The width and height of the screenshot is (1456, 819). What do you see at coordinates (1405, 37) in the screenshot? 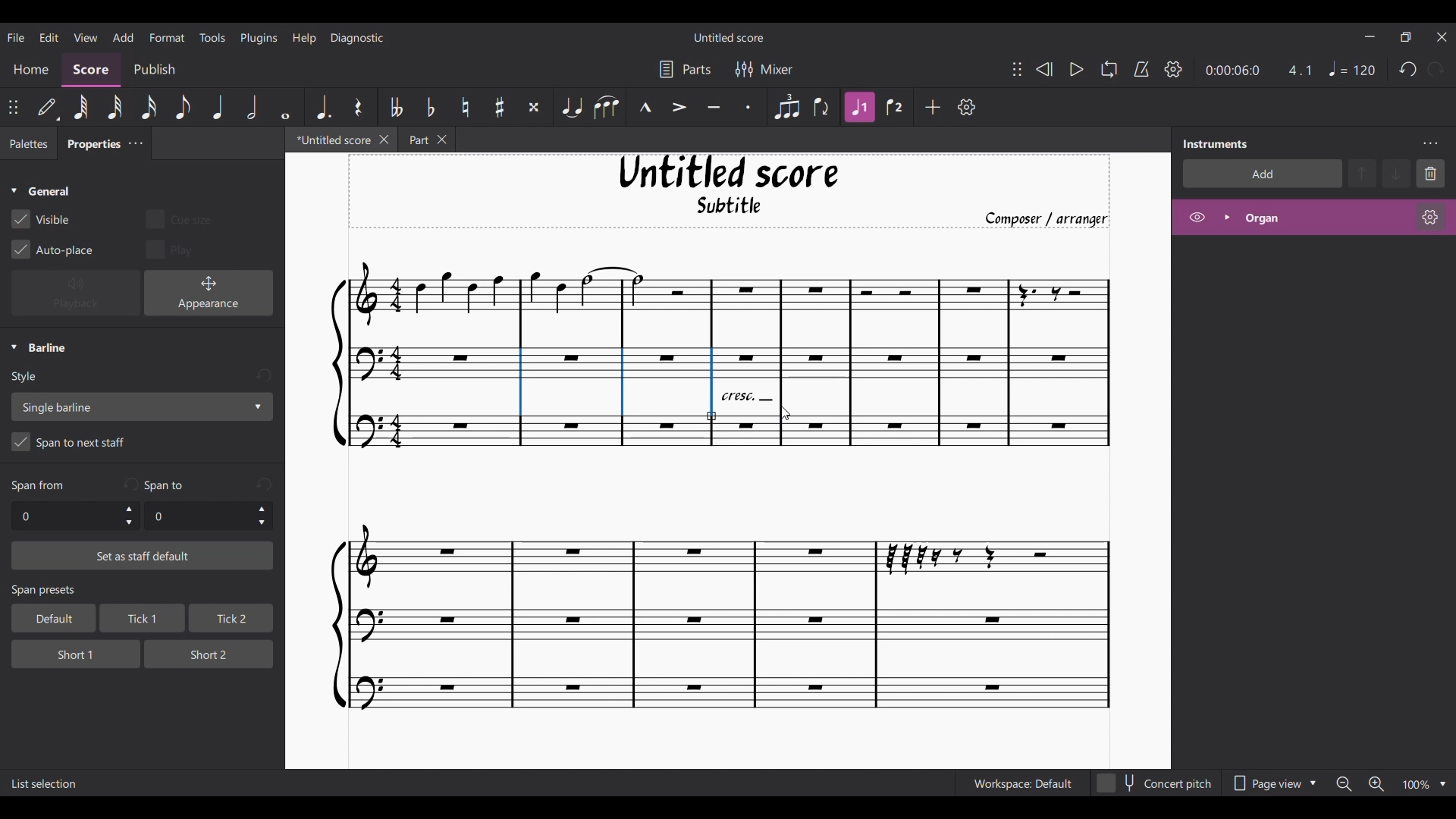
I see `Show interface in a smaller tab` at bounding box center [1405, 37].